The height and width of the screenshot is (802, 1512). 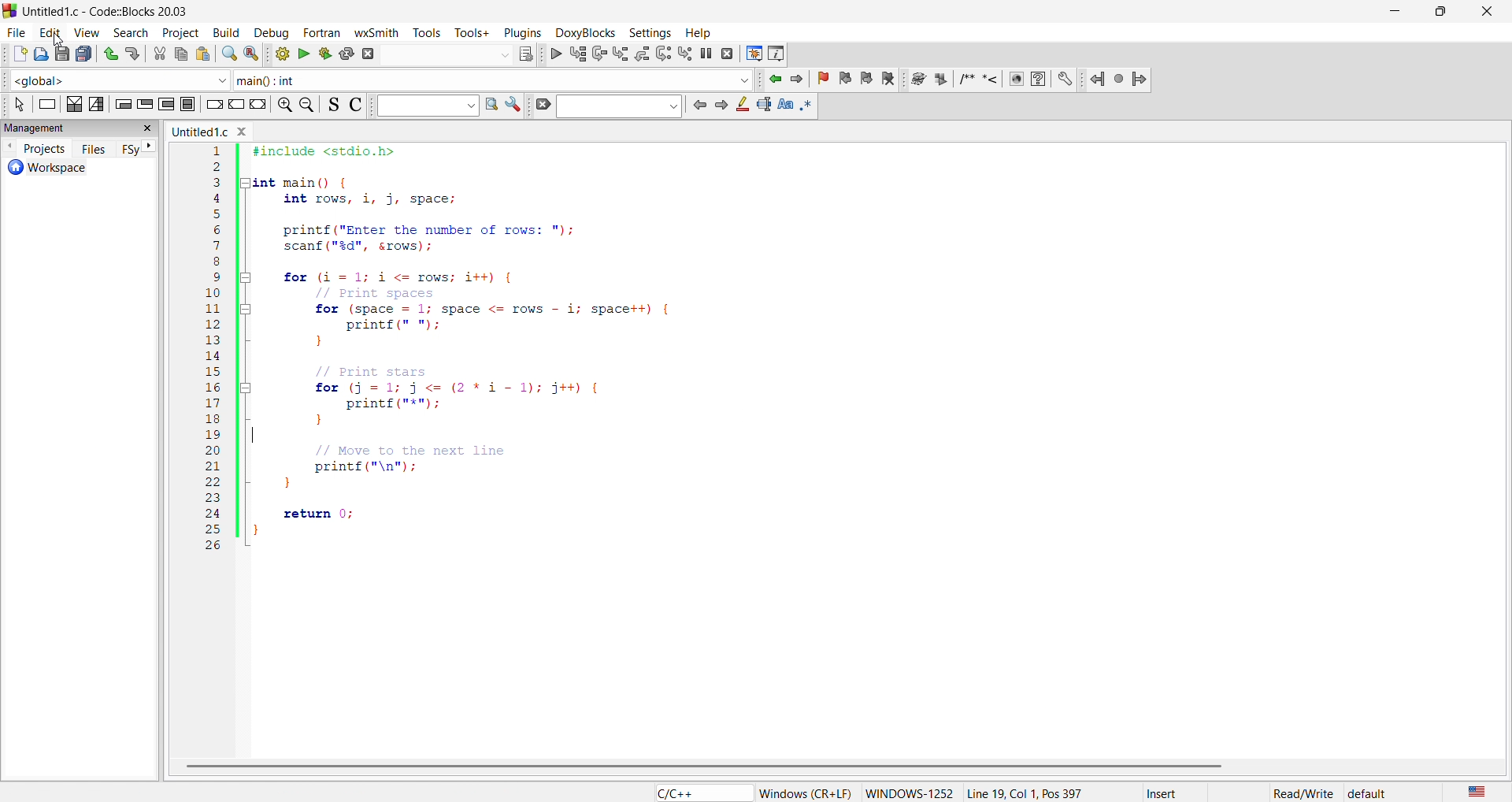 I want to click on toggle bookmark, so click(x=826, y=79).